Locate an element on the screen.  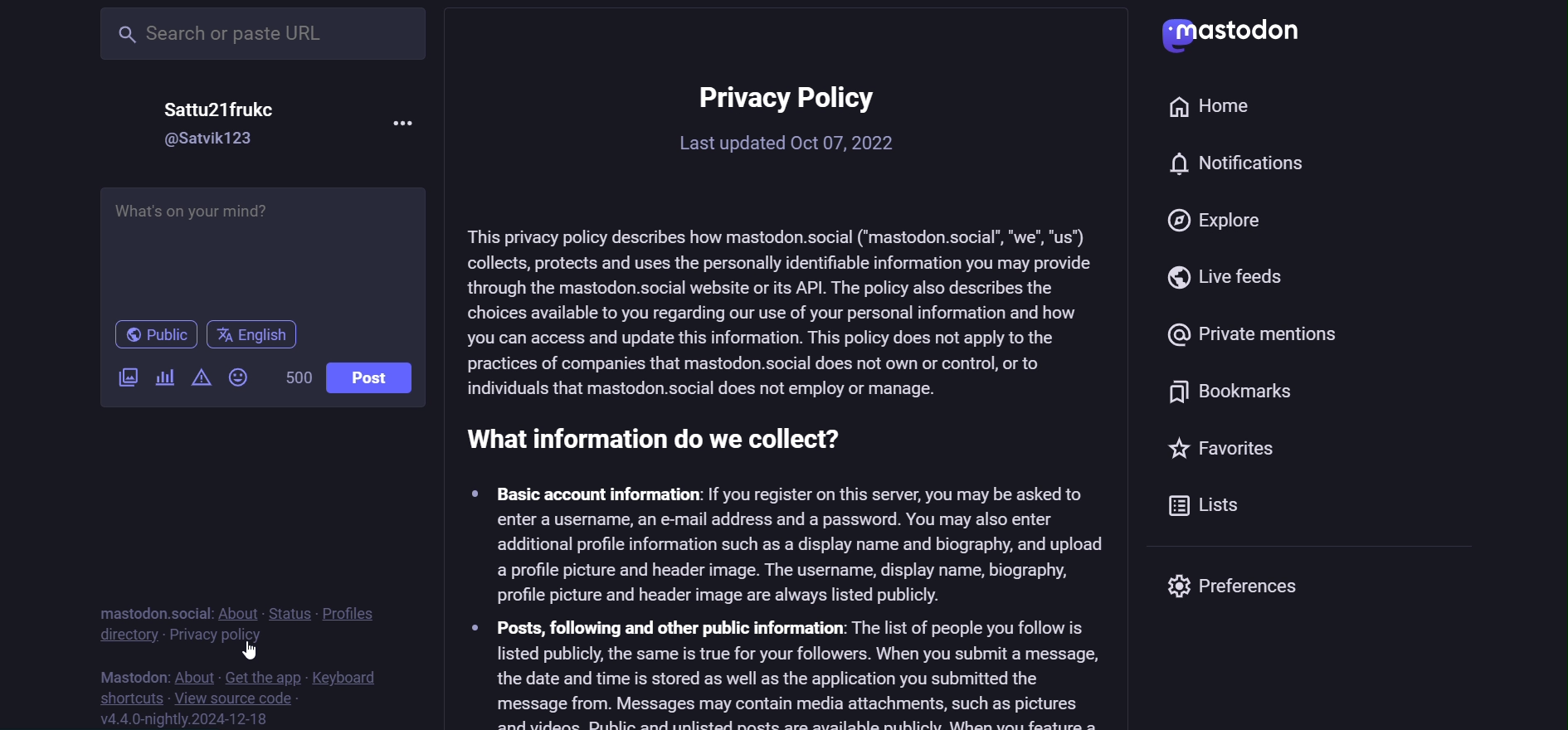
word limit is located at coordinates (298, 379).